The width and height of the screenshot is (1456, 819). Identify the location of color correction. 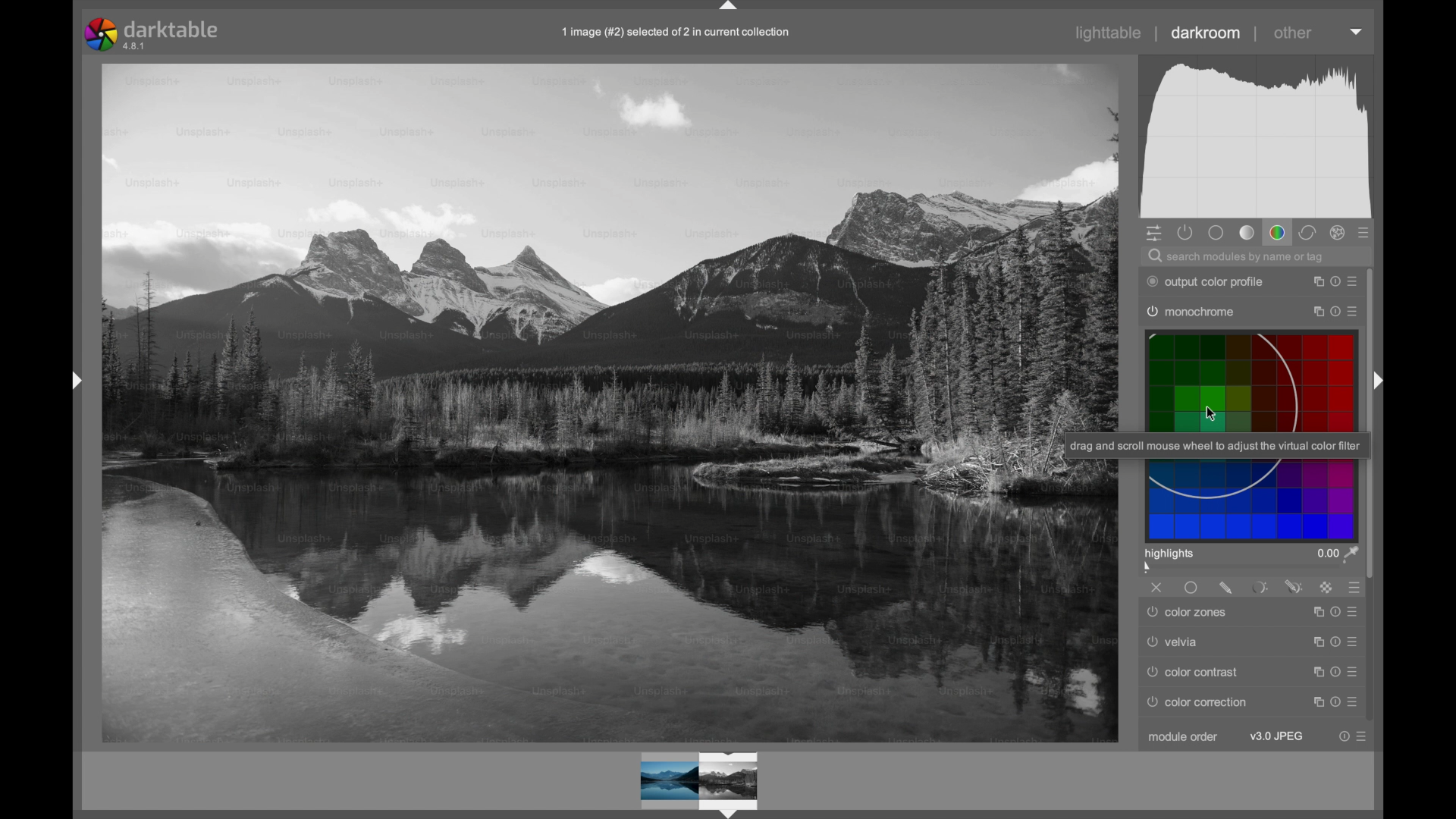
(1197, 702).